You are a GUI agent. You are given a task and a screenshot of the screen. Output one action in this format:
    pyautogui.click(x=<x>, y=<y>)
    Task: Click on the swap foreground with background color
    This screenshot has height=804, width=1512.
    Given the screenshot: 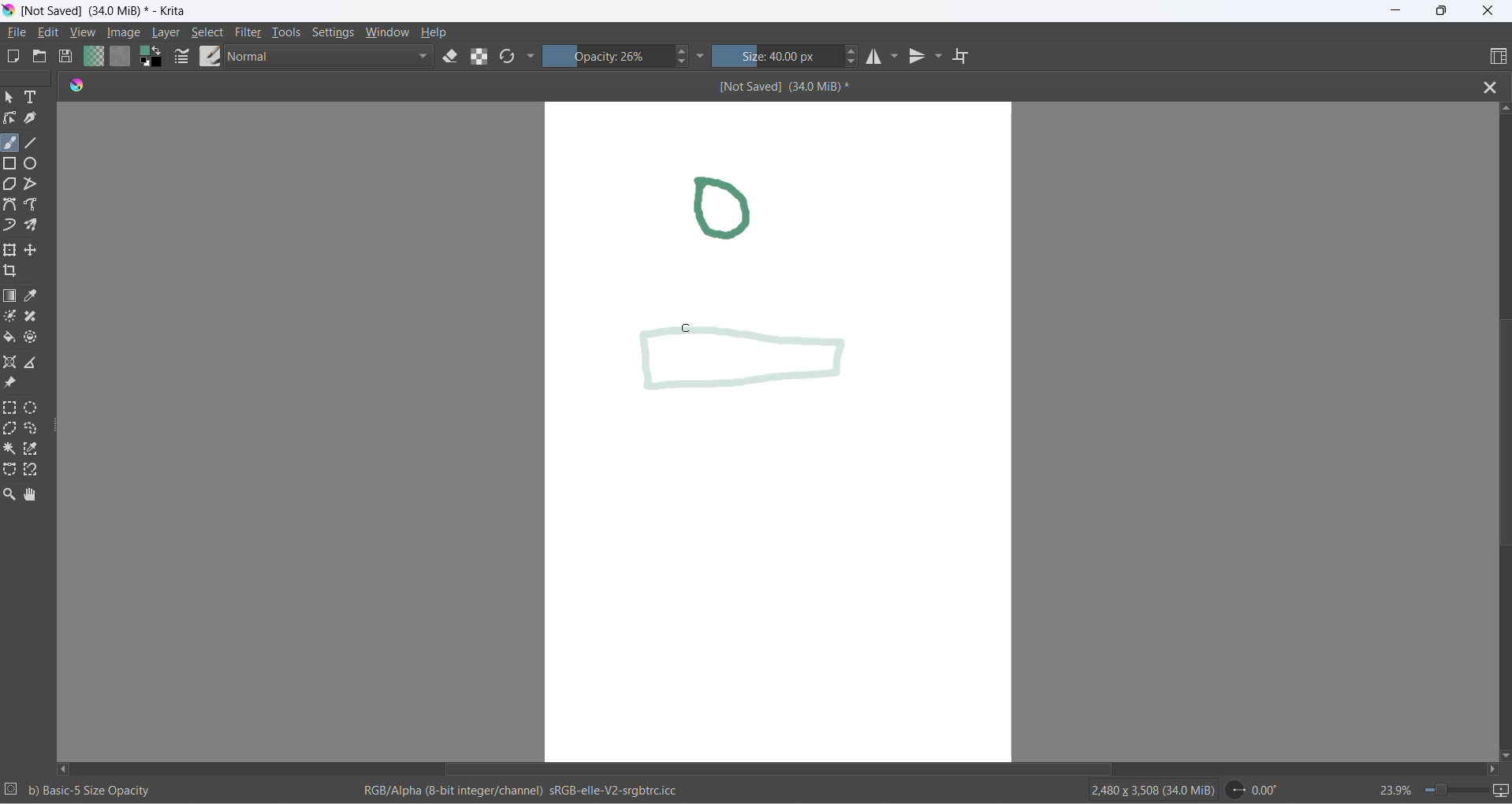 What is the action you would take?
    pyautogui.click(x=153, y=57)
    